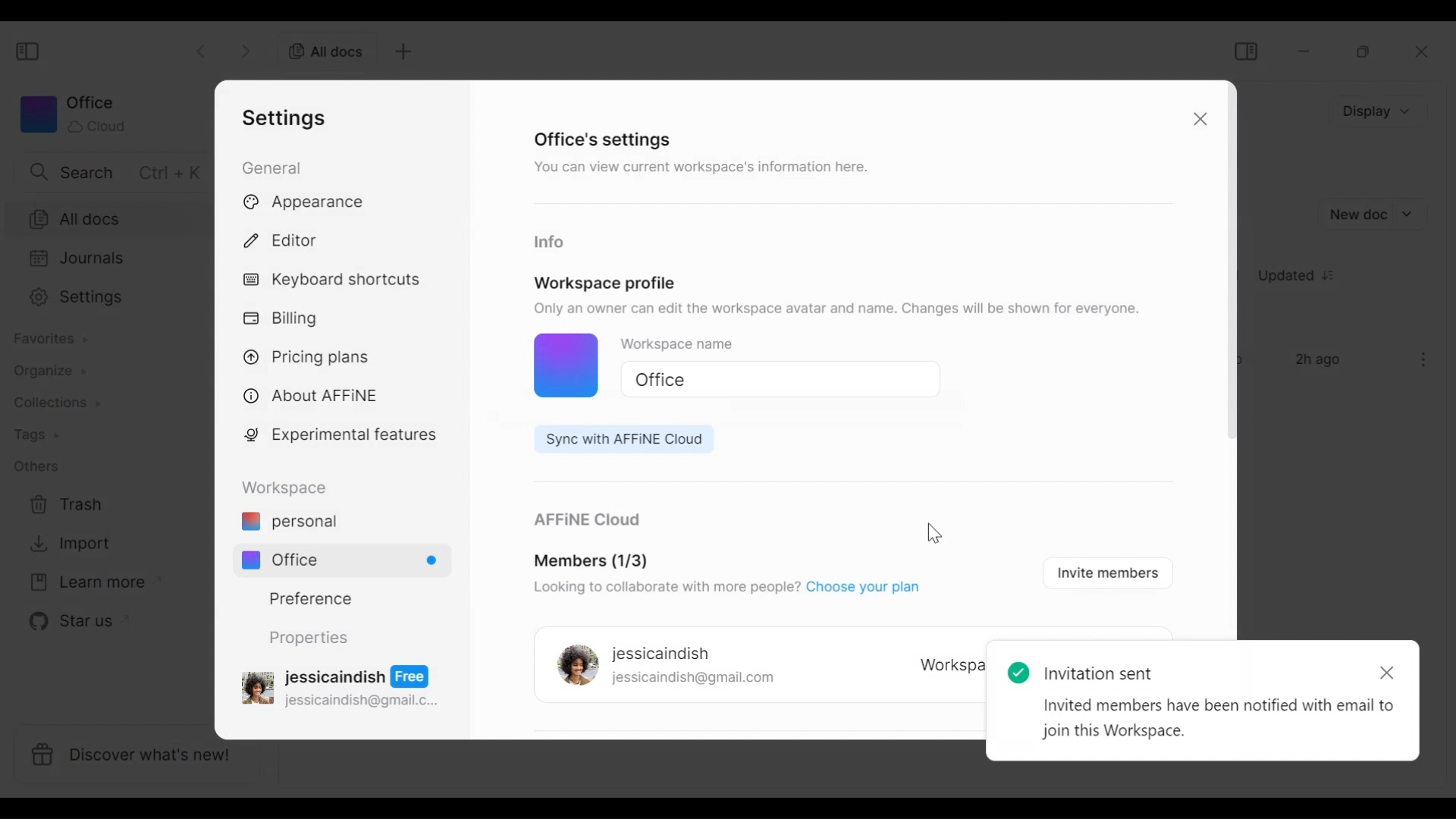  Describe the element at coordinates (773, 380) in the screenshot. I see `Office` at that location.